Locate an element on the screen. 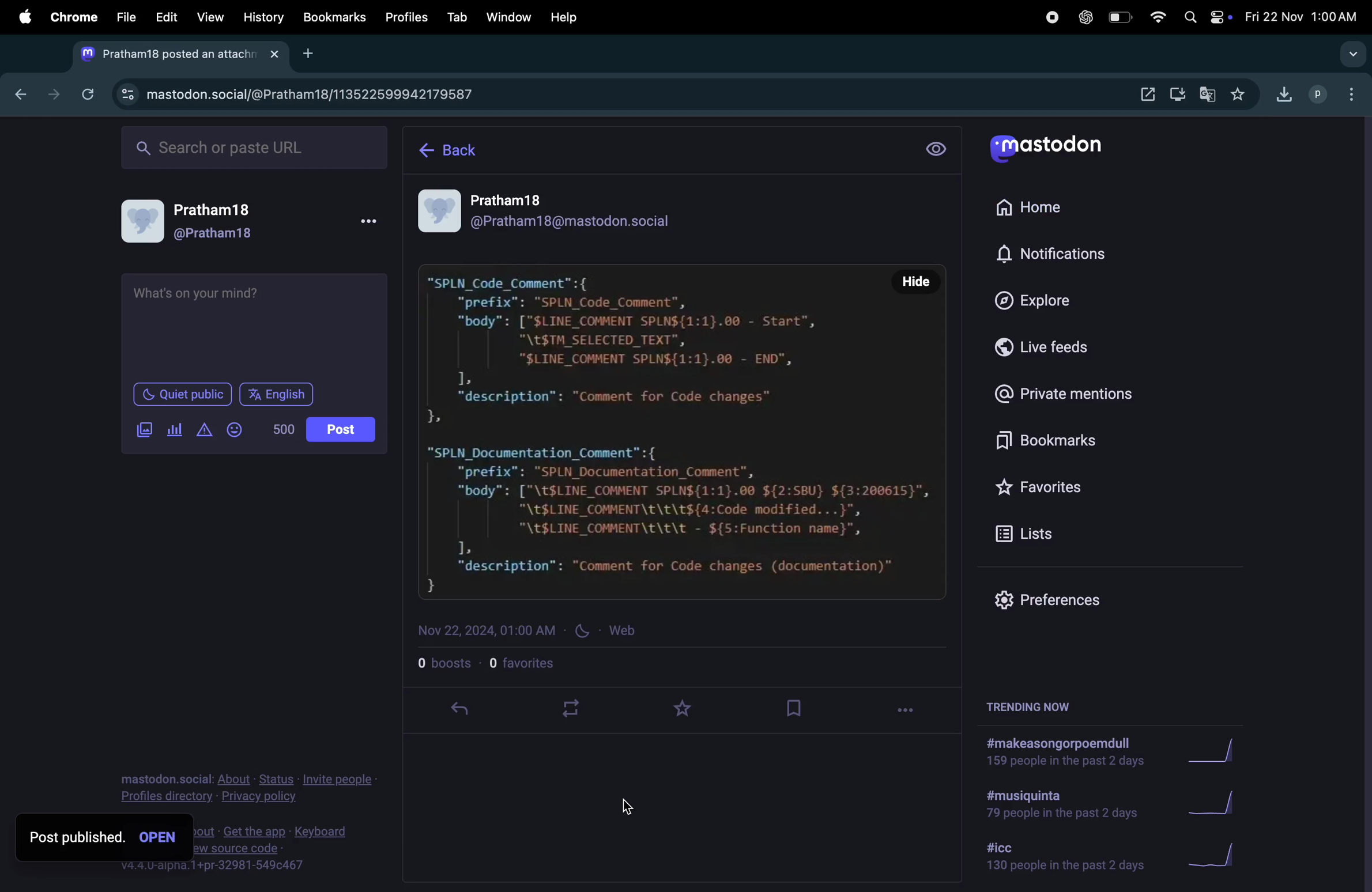  favourites is located at coordinates (692, 711).